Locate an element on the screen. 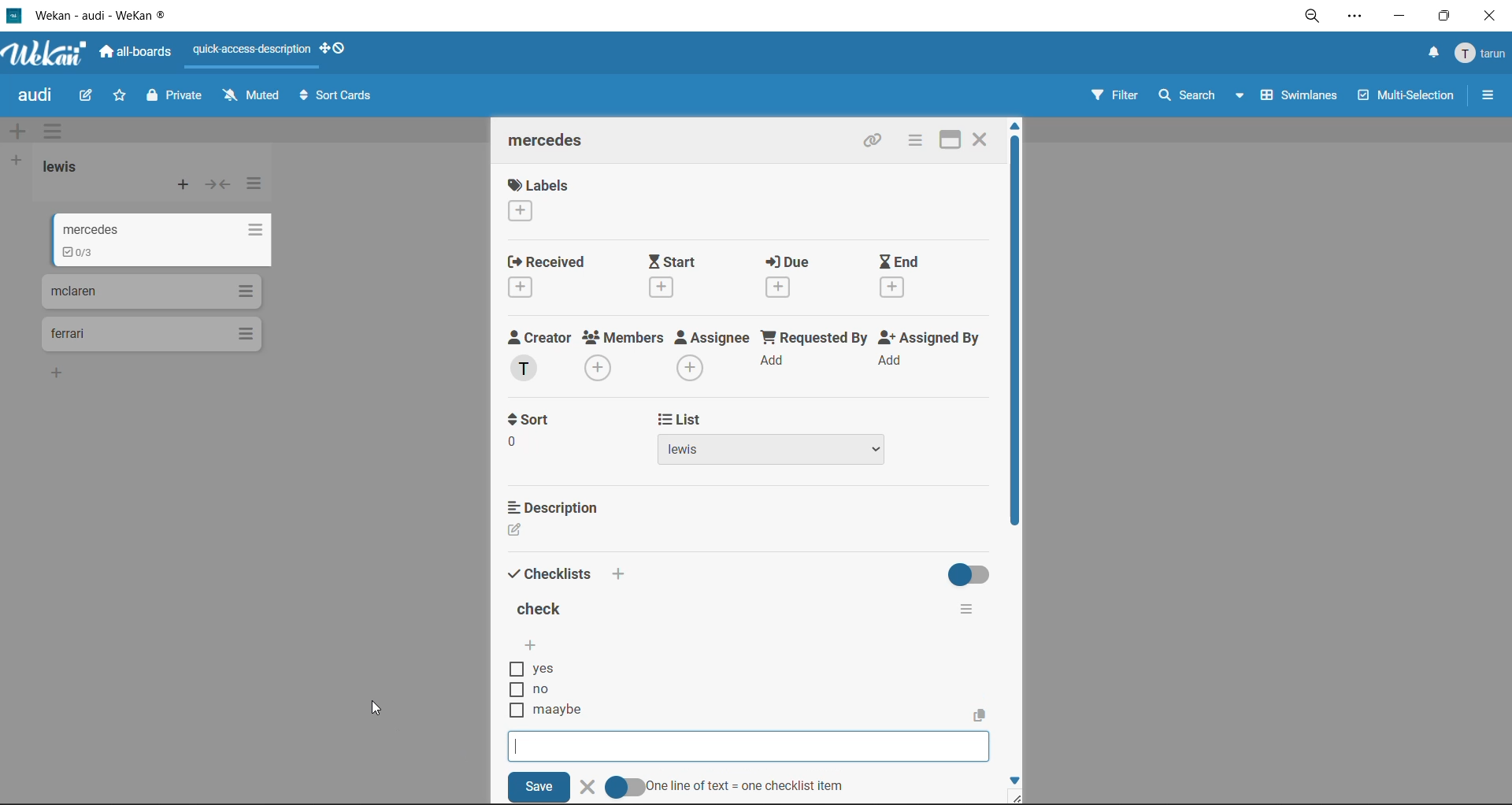 Image resolution: width=1512 pixels, height=805 pixels. checklists is located at coordinates (569, 577).